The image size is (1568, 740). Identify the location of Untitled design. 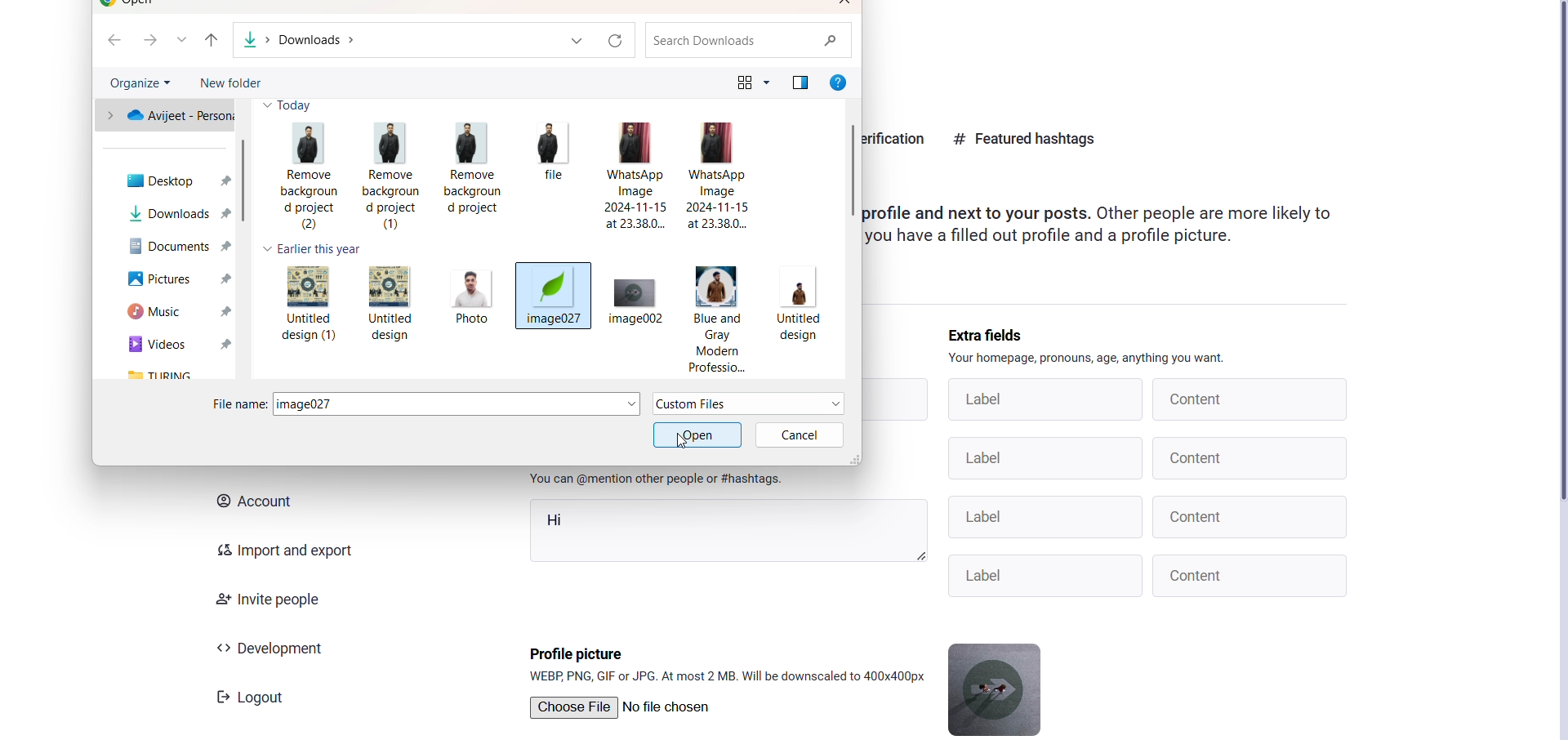
(390, 304).